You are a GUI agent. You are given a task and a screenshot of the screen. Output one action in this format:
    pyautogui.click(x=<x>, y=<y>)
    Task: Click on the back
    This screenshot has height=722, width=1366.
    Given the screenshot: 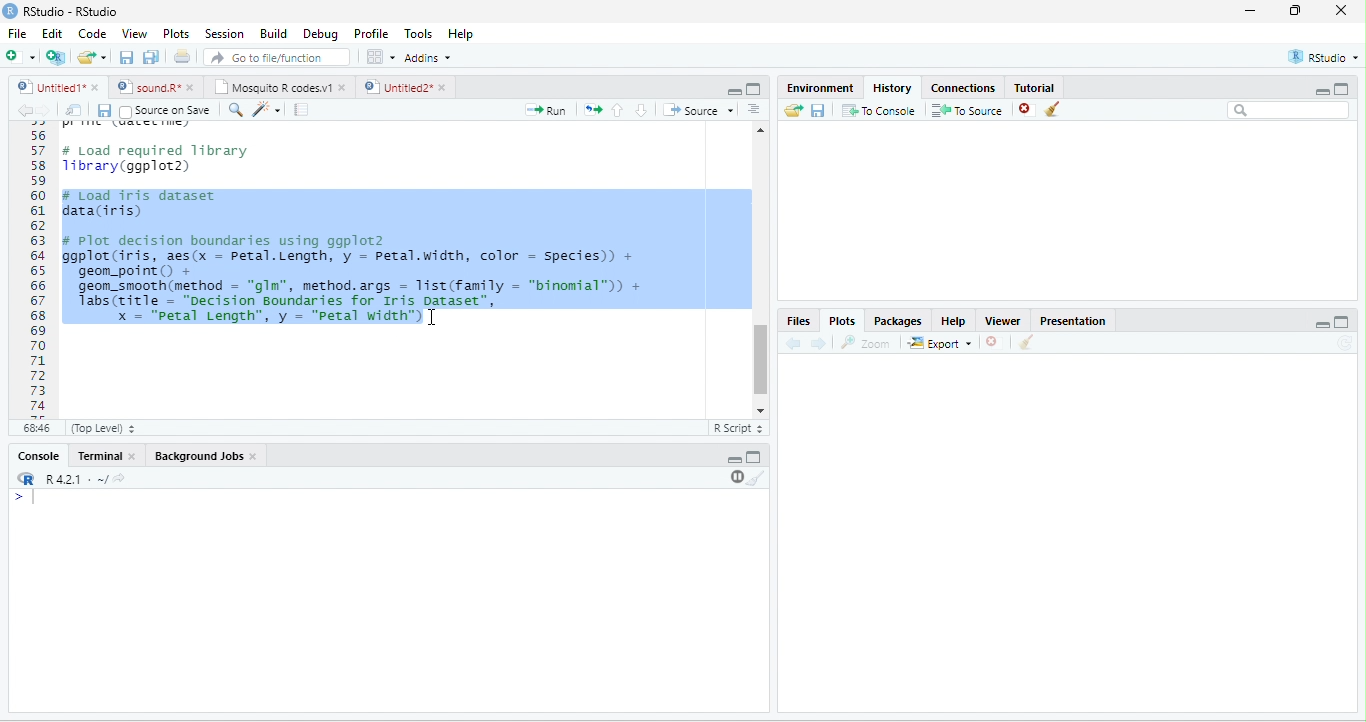 What is the action you would take?
    pyautogui.click(x=792, y=344)
    